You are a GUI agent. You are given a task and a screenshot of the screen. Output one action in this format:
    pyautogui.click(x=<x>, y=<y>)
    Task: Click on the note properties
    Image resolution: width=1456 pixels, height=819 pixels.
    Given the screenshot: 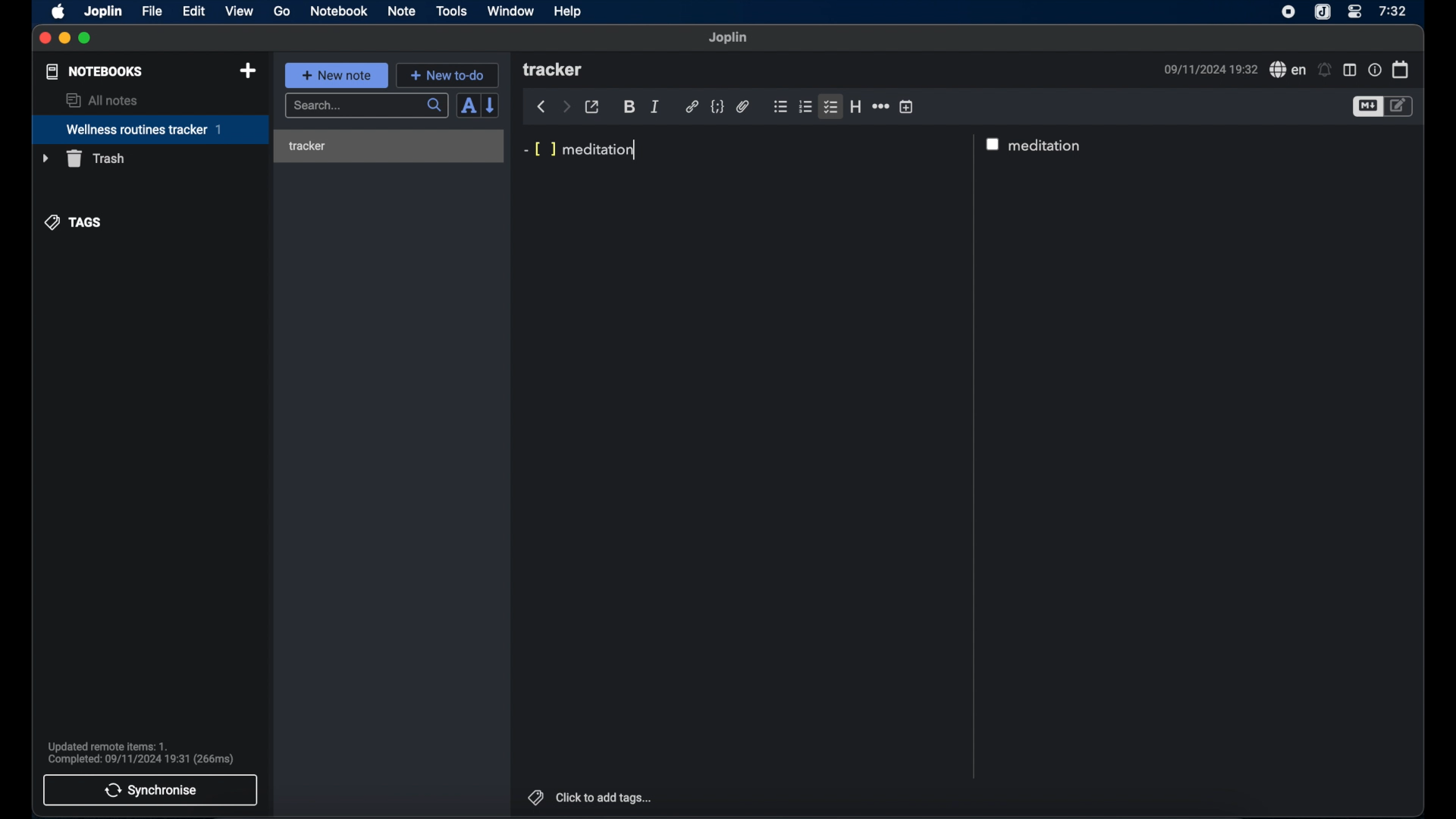 What is the action you would take?
    pyautogui.click(x=1374, y=69)
    